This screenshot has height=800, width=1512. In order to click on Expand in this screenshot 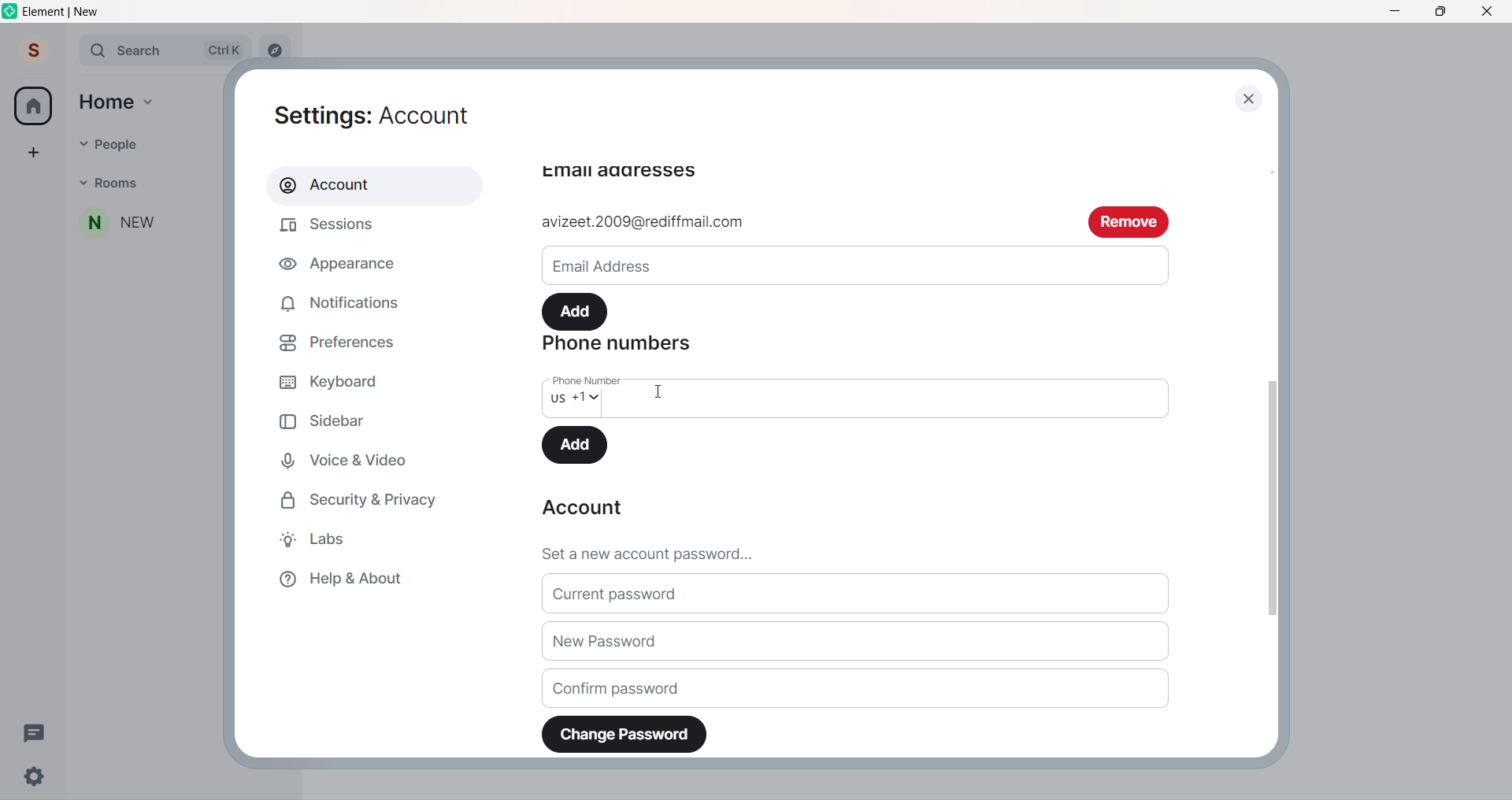, I will do `click(66, 52)`.